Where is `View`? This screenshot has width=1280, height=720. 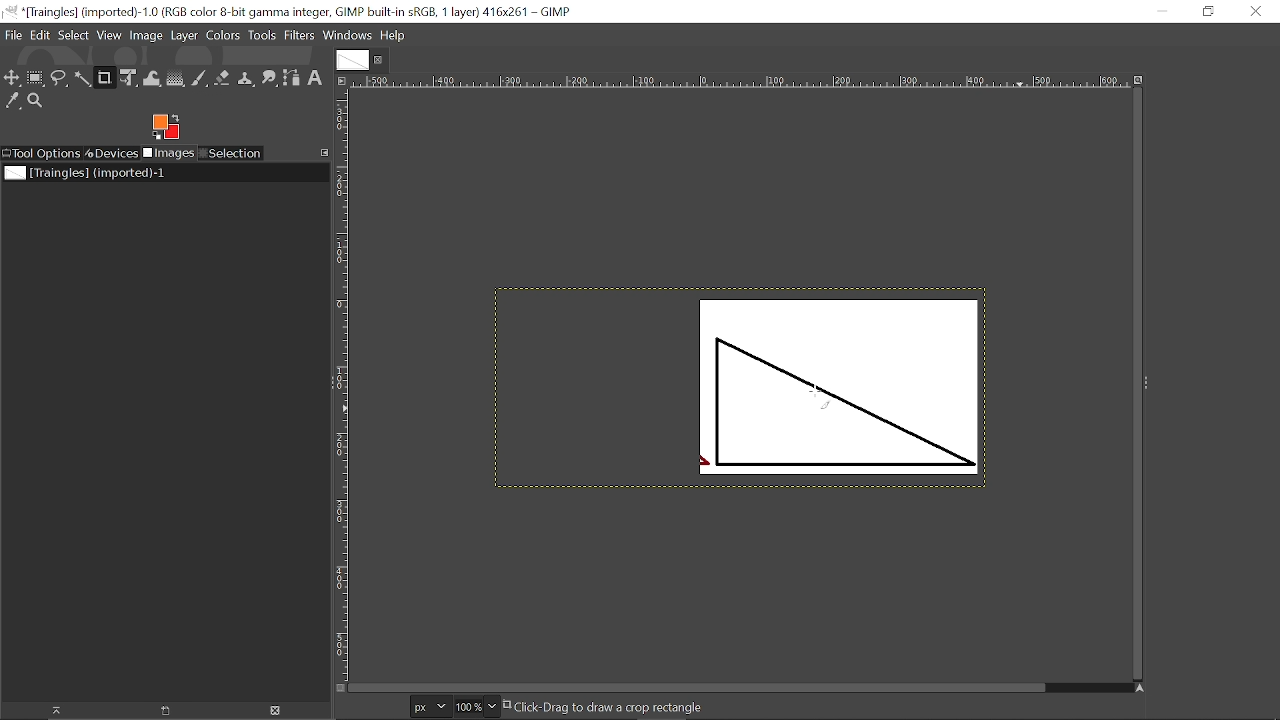 View is located at coordinates (109, 36).